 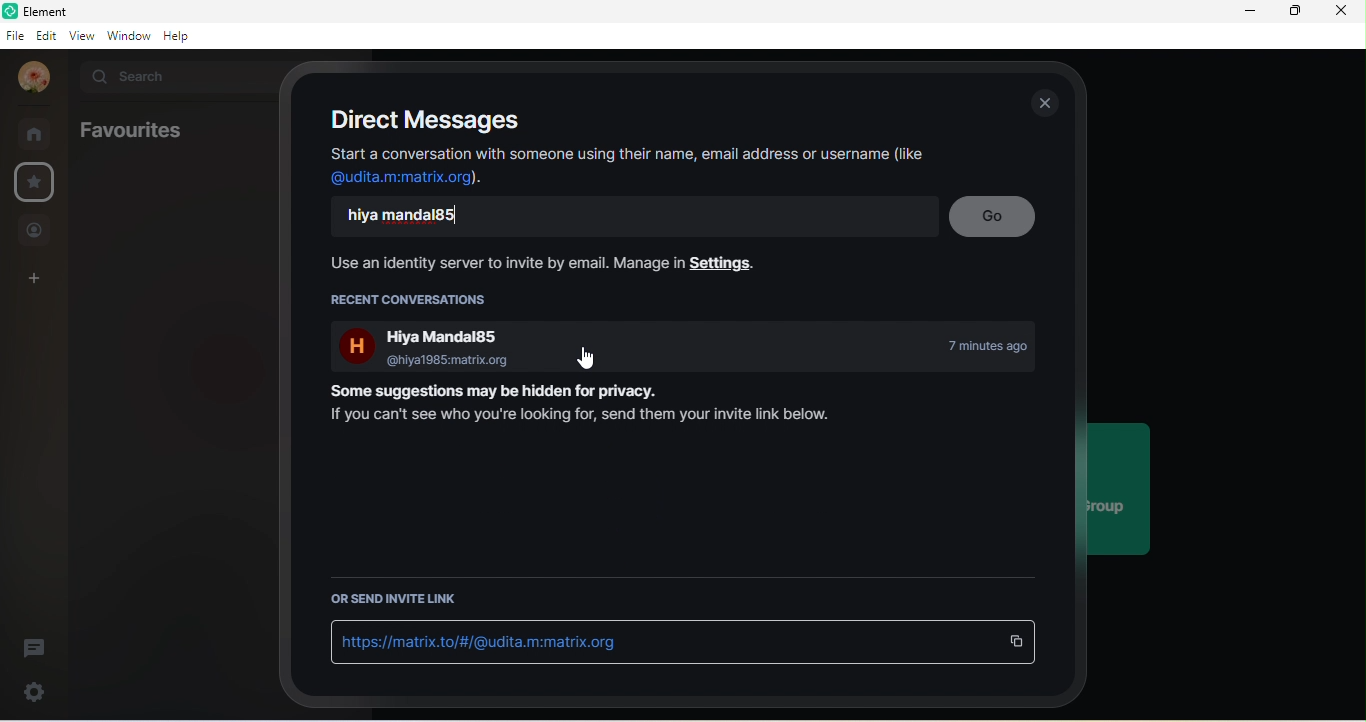 I want to click on Use an identity server to invite by email. Manage in settings., so click(x=536, y=263).